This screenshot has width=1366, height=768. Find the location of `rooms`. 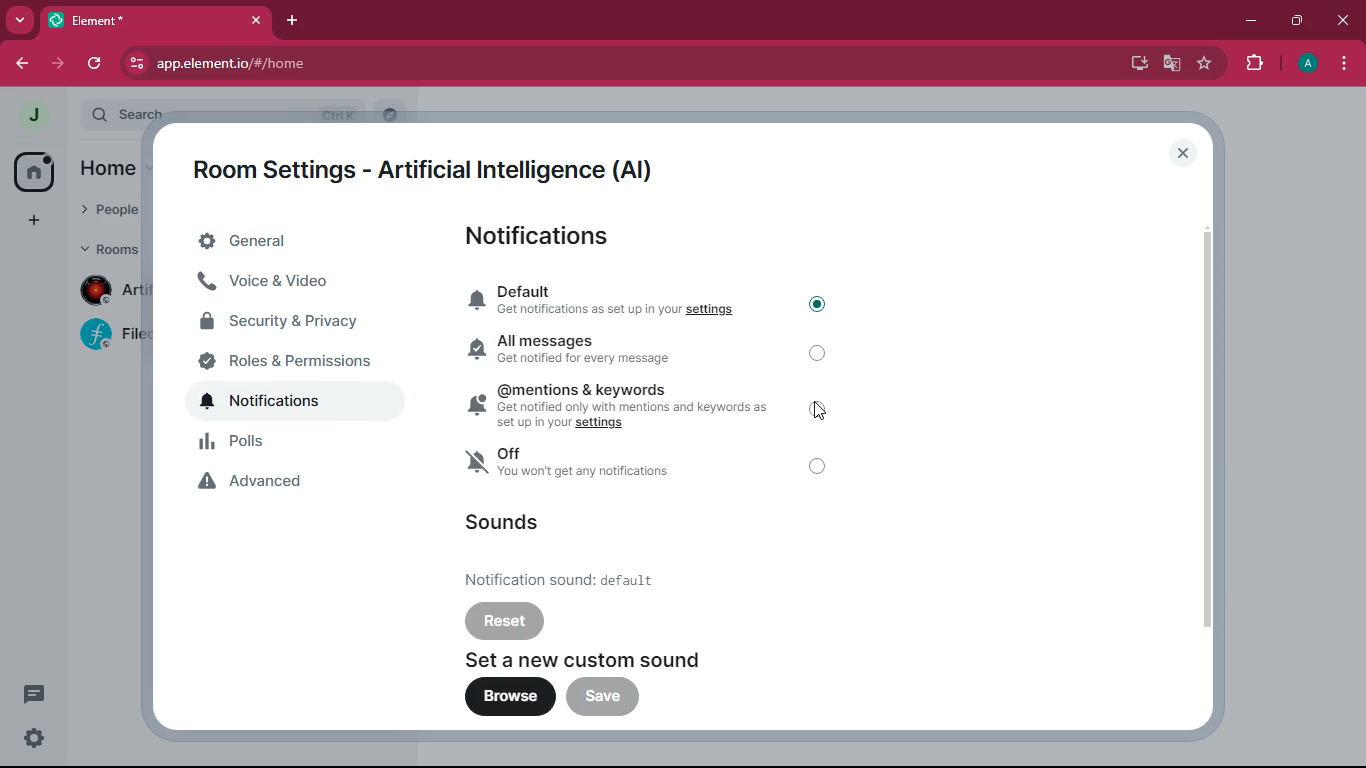

rooms is located at coordinates (108, 248).